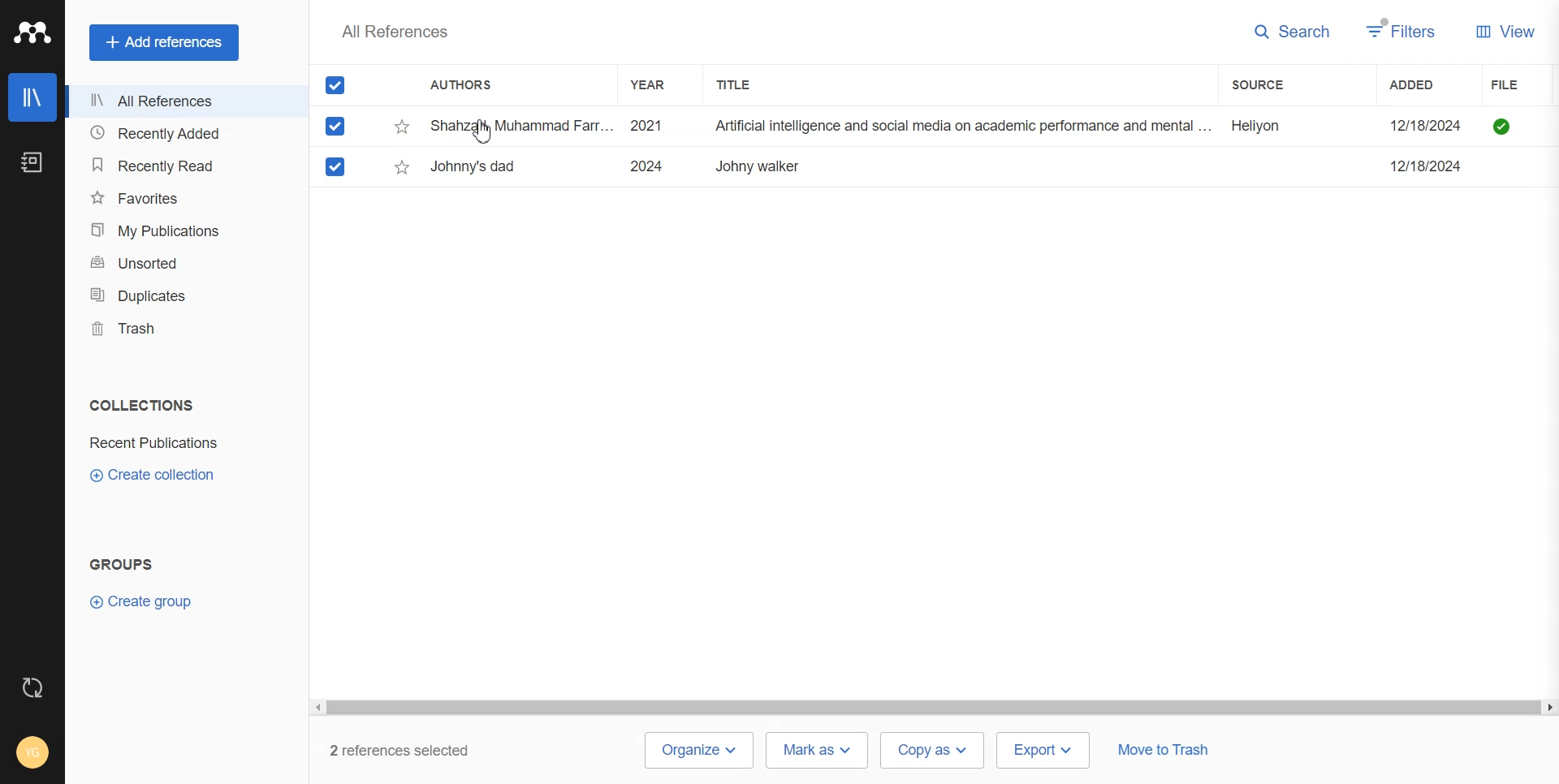 This screenshot has height=784, width=1559. Describe the element at coordinates (934, 751) in the screenshot. I see `Copy as` at that location.